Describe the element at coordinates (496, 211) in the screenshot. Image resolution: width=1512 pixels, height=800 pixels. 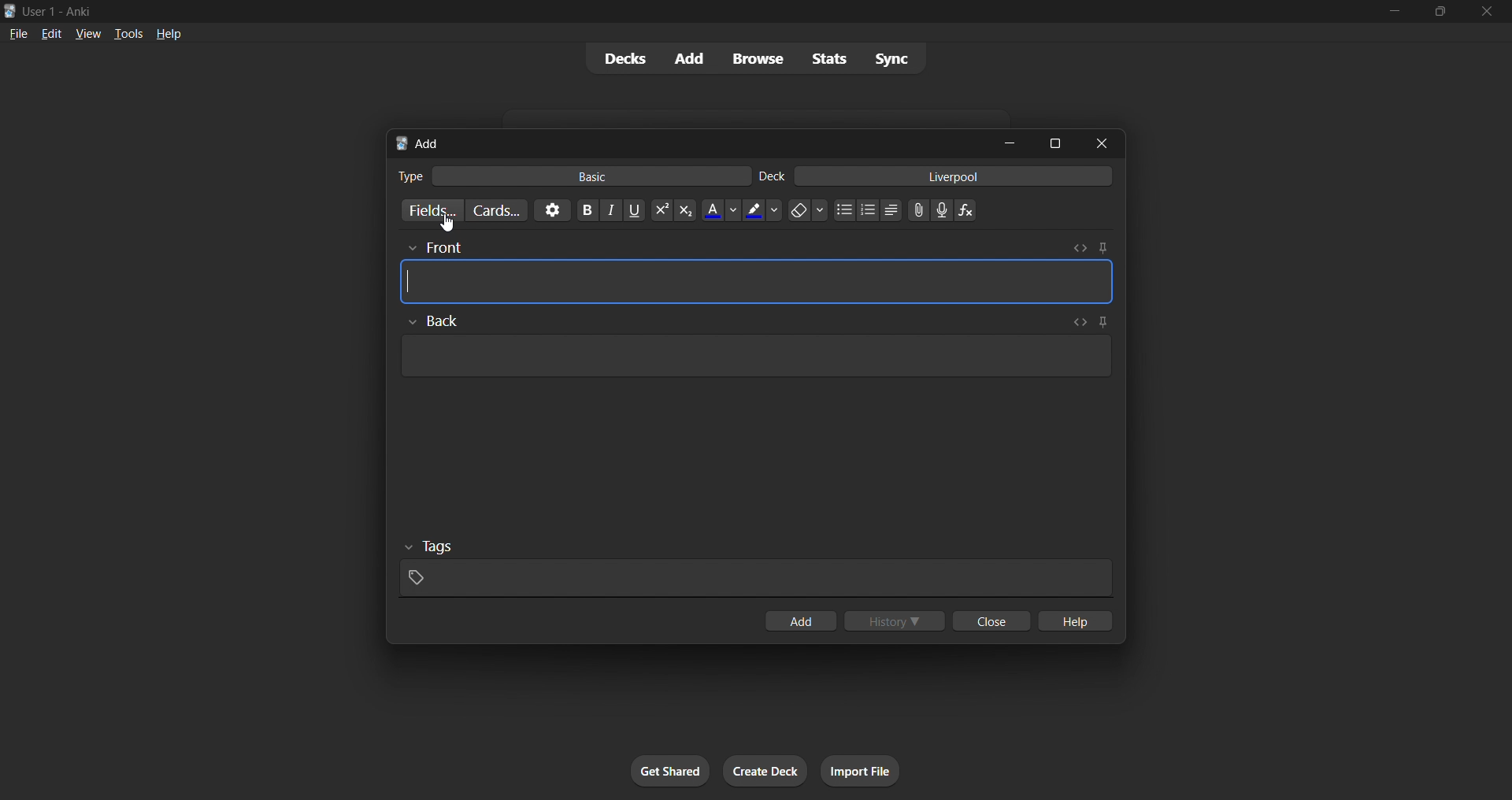
I see `customize card templates` at that location.